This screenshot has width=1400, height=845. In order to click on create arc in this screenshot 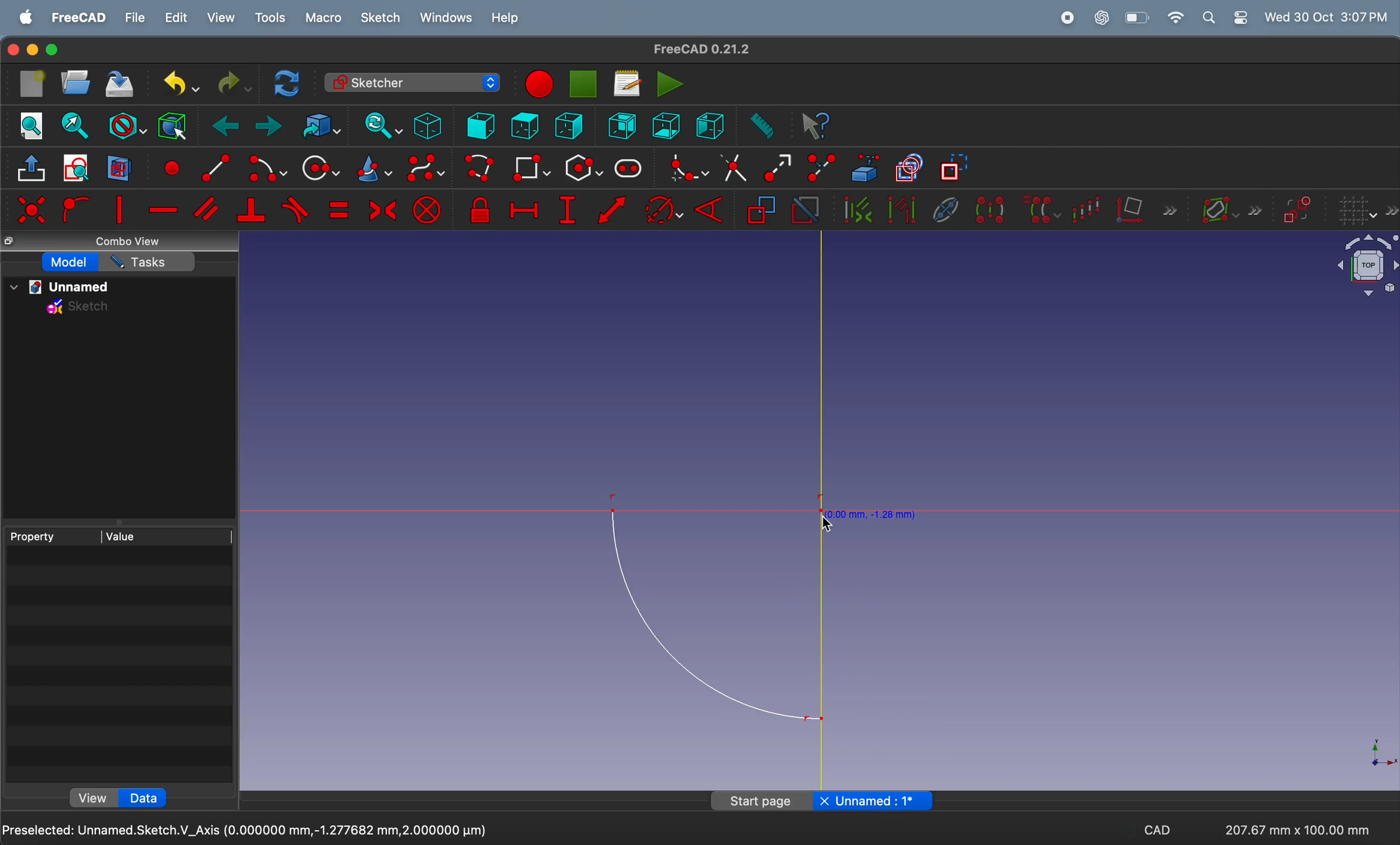, I will do `click(265, 169)`.